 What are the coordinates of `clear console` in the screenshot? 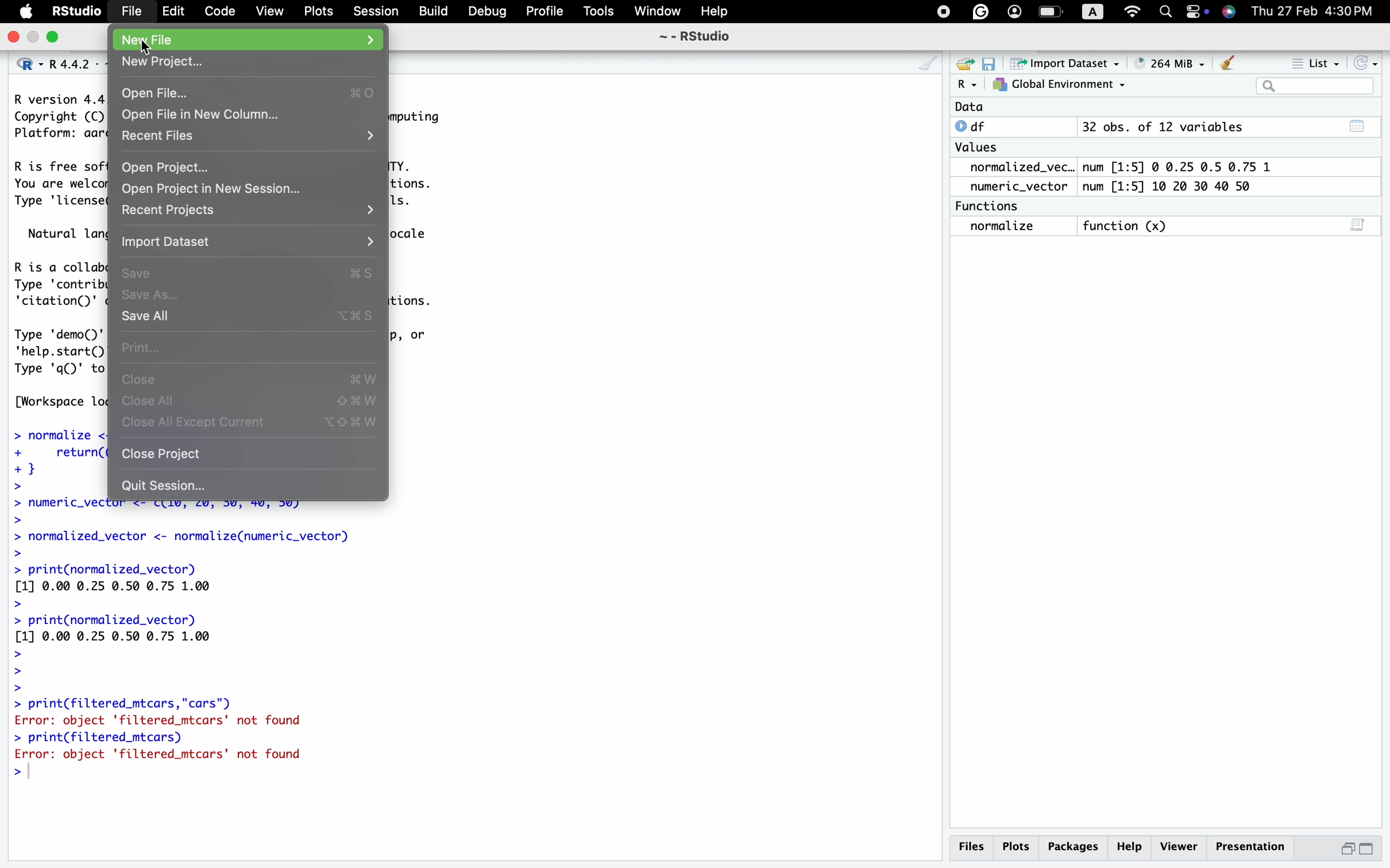 It's located at (924, 63).